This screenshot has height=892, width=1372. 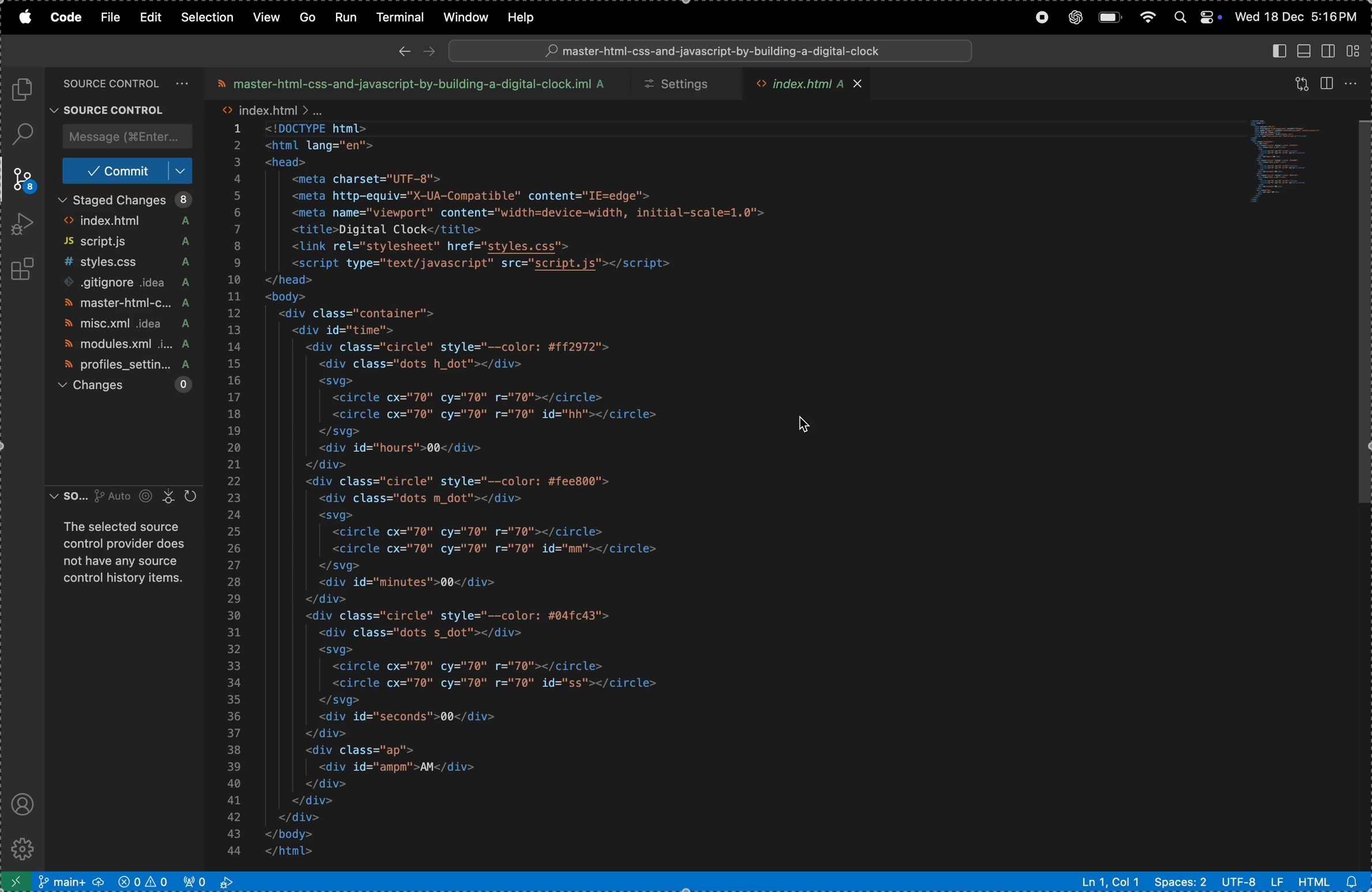 I want to click on <title>Digital Clock</title>, so click(x=389, y=230).